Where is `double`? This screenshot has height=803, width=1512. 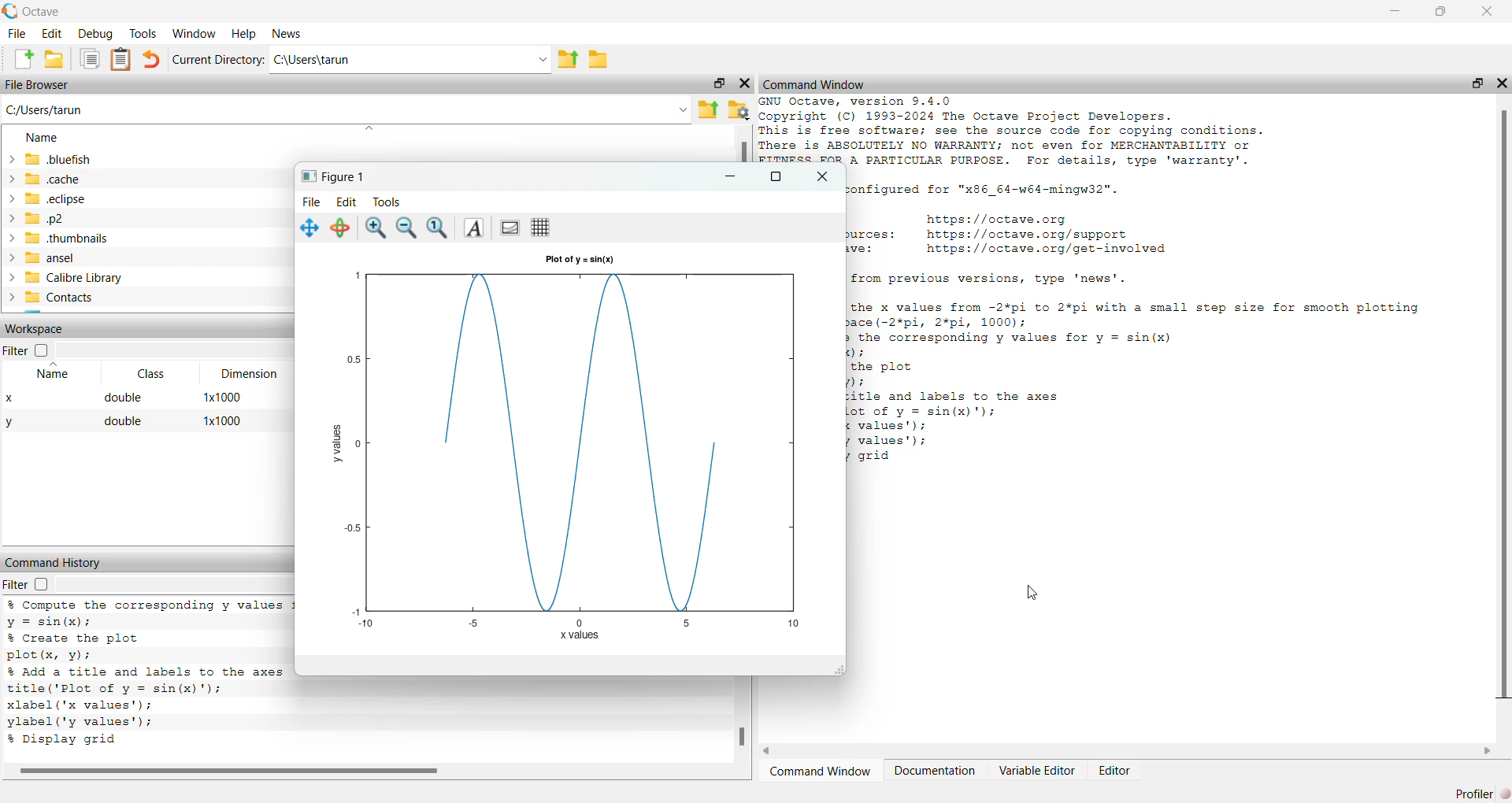
double is located at coordinates (122, 420).